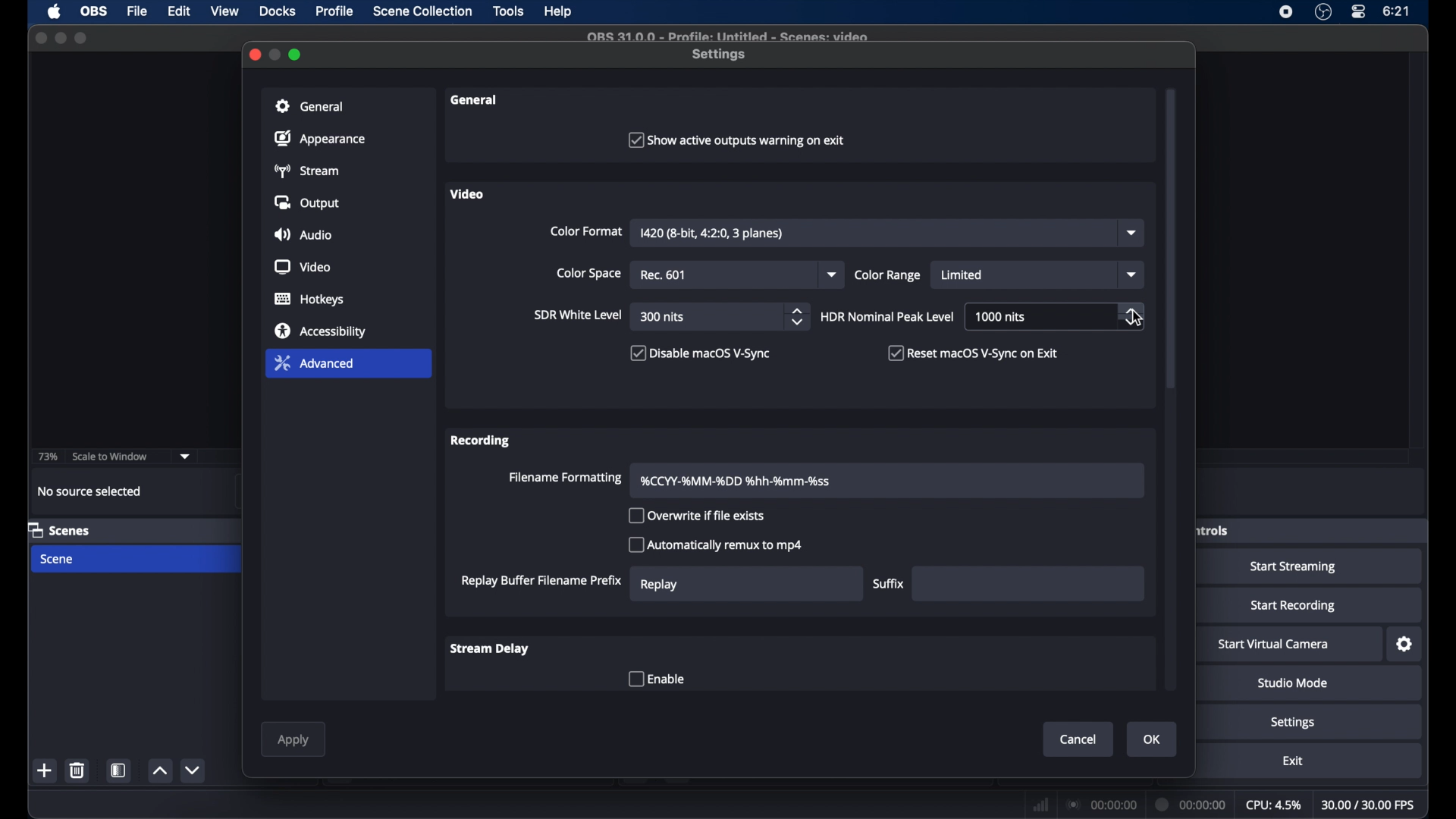 The image size is (1456, 819). Describe the element at coordinates (54, 12) in the screenshot. I see `apple icon` at that location.